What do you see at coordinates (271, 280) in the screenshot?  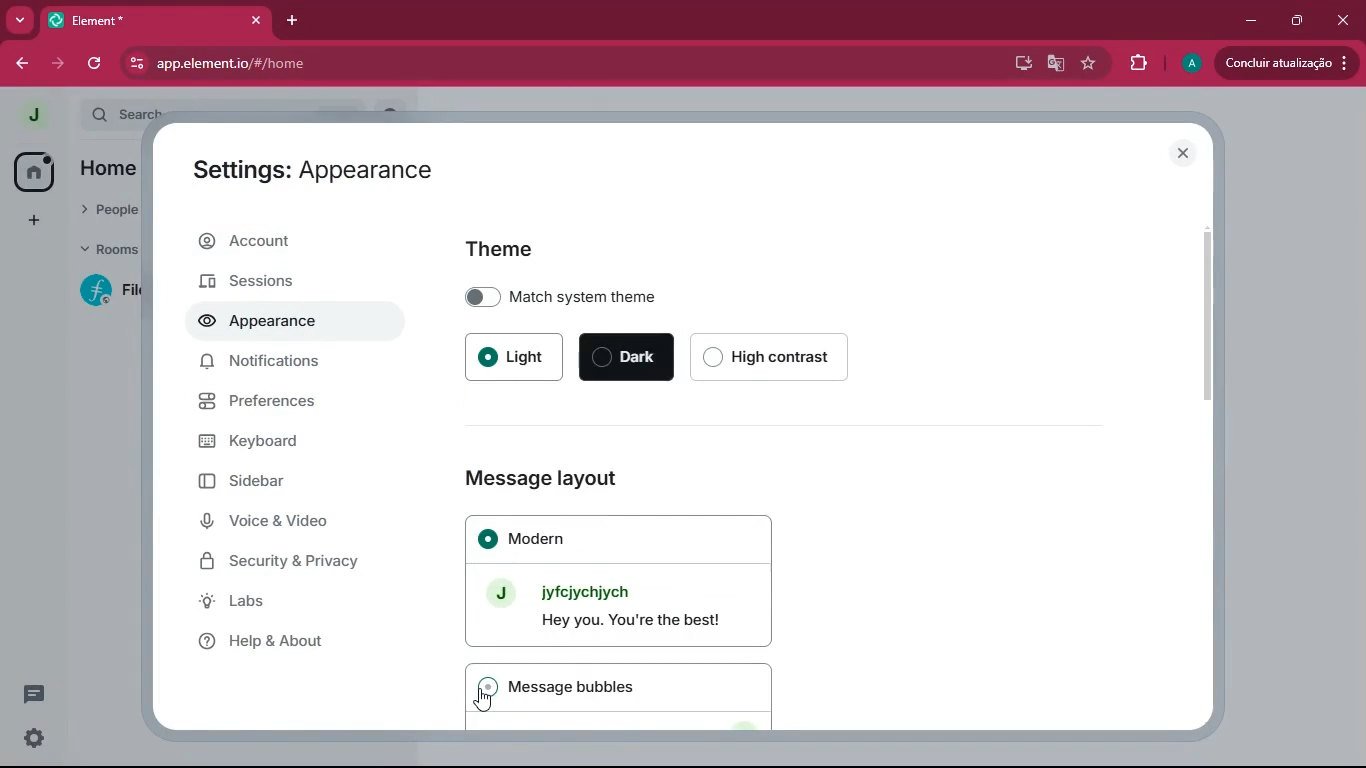 I see `Sessions` at bounding box center [271, 280].